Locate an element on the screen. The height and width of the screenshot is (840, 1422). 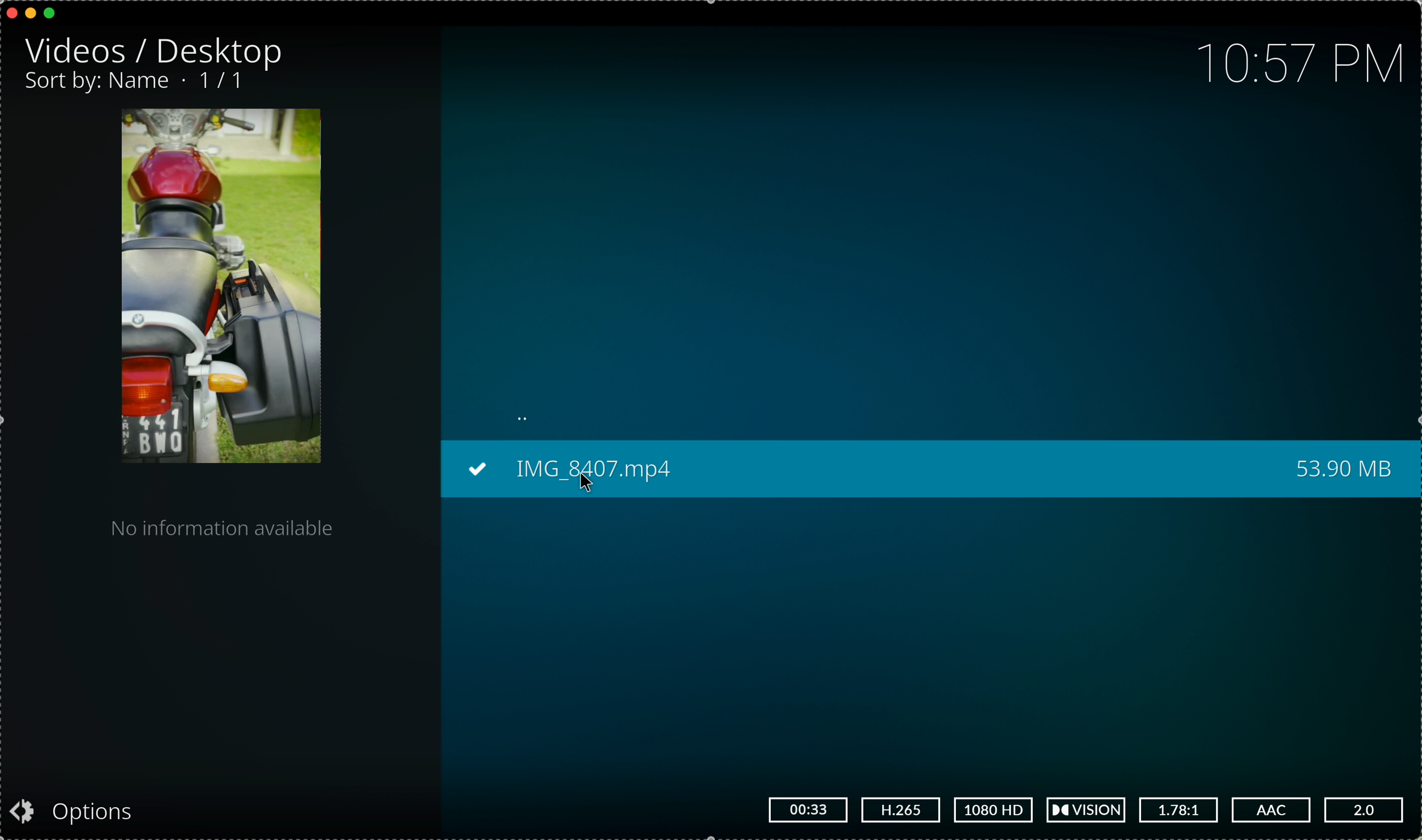
no information available is located at coordinates (227, 532).